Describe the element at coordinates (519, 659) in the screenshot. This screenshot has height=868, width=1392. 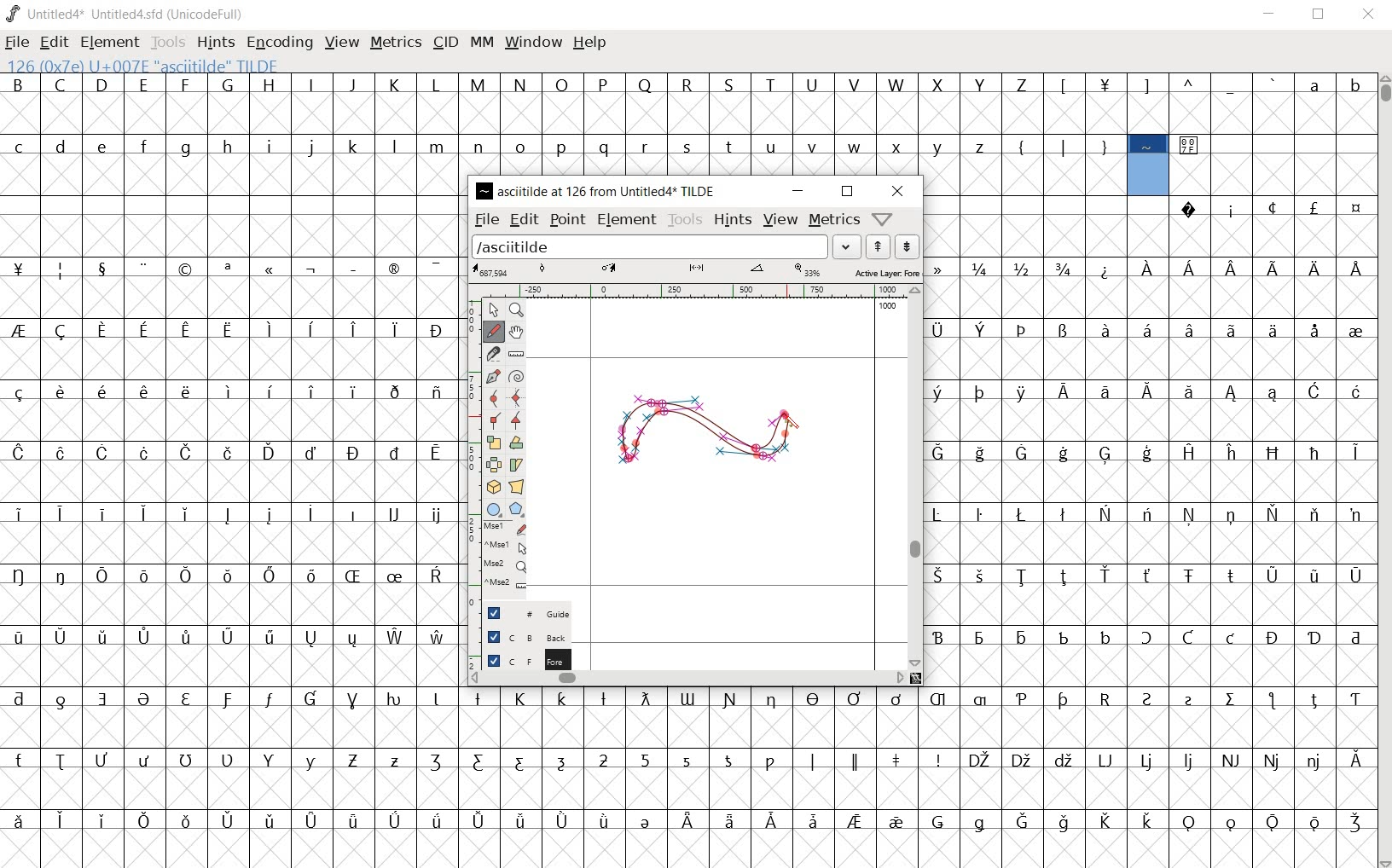
I see `foreground` at that location.